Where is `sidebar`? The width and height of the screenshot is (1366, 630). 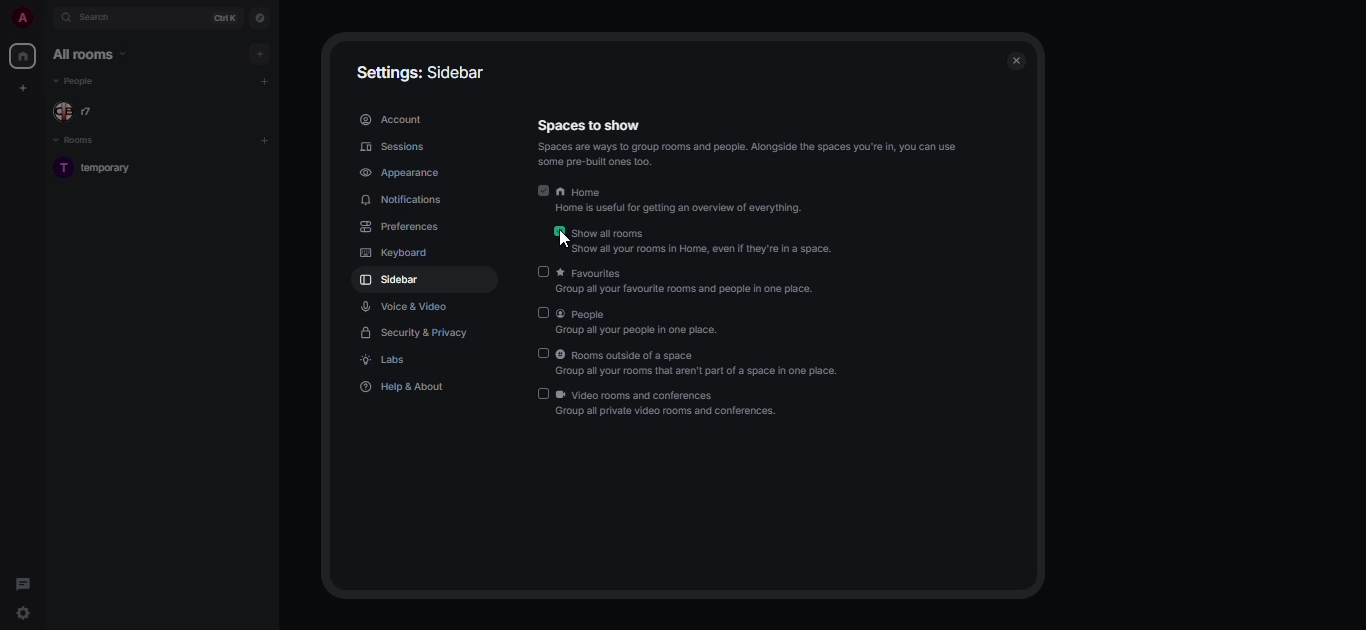
sidebar is located at coordinates (393, 281).